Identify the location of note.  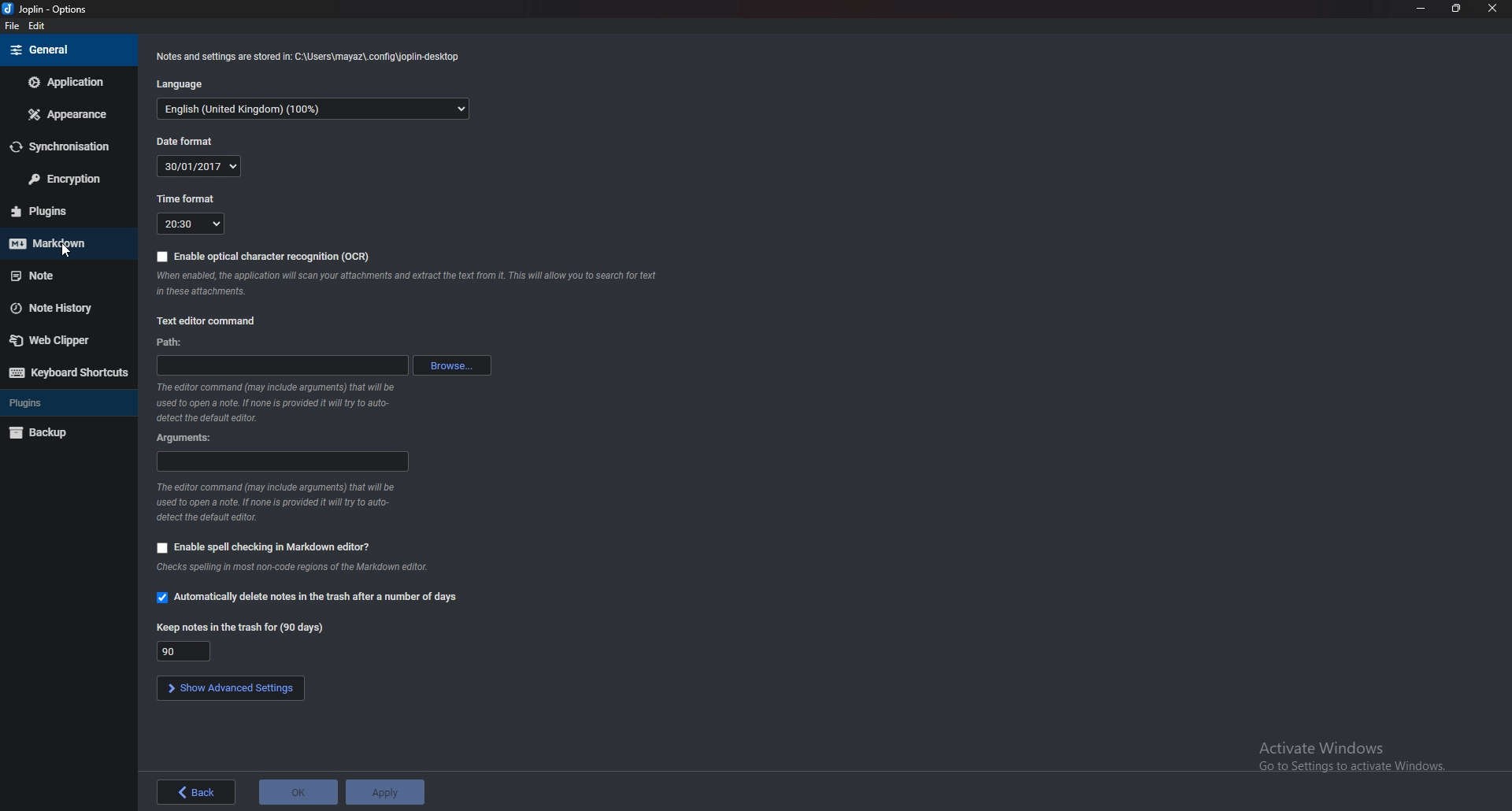
(68, 274).